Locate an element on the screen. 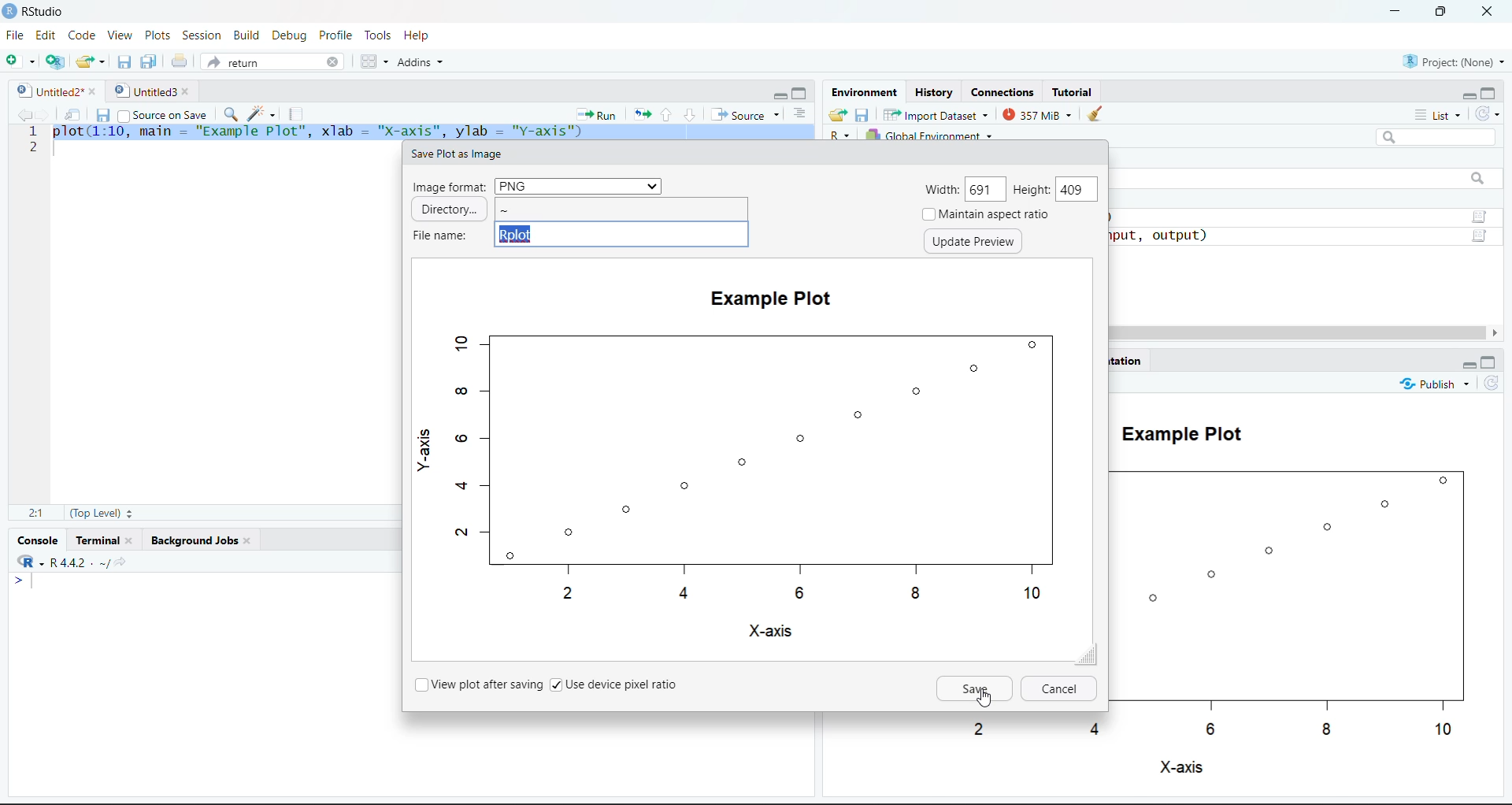 The image size is (1512, 805). Directory.. is located at coordinates (449, 209).